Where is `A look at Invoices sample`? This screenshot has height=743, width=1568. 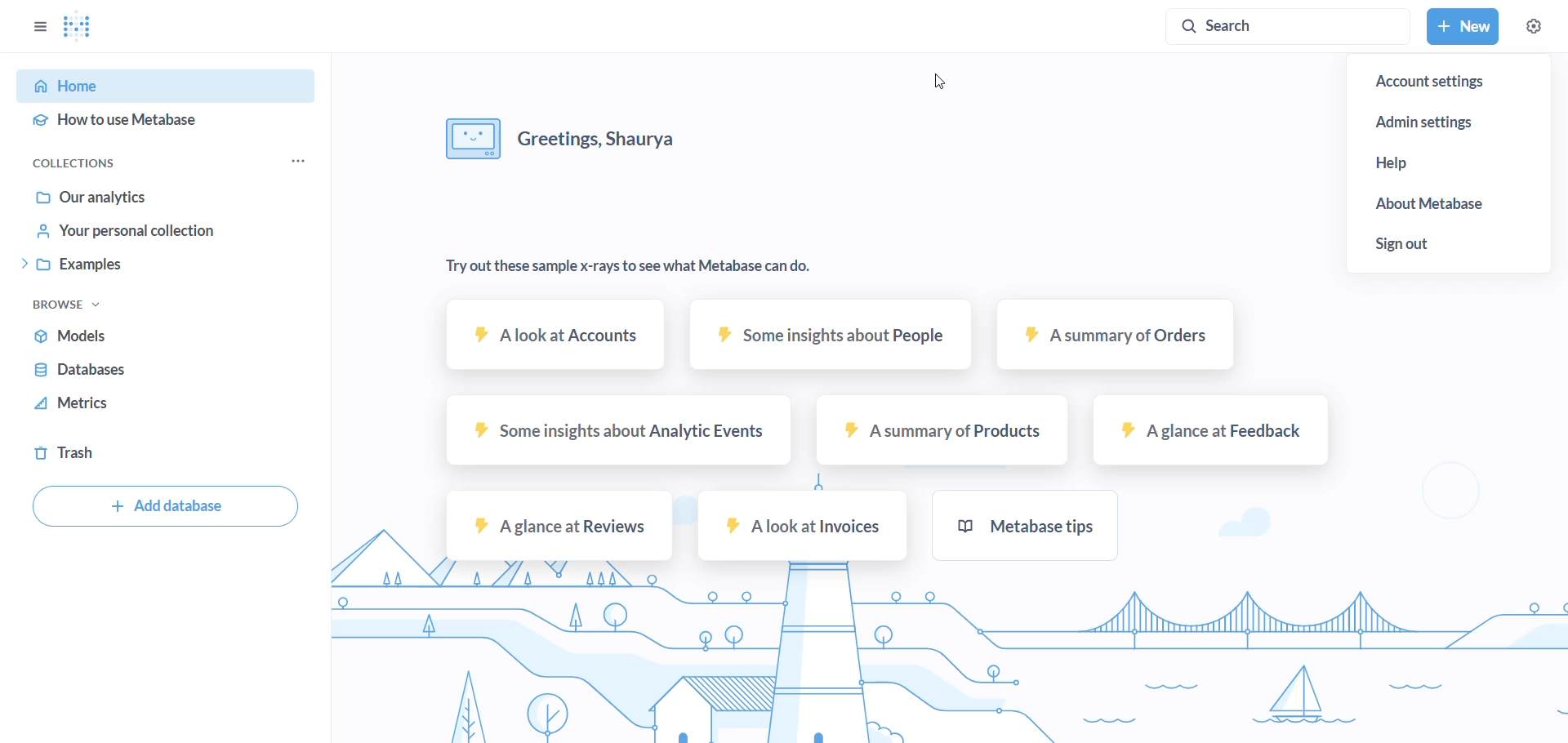 A look at Invoices sample is located at coordinates (802, 527).